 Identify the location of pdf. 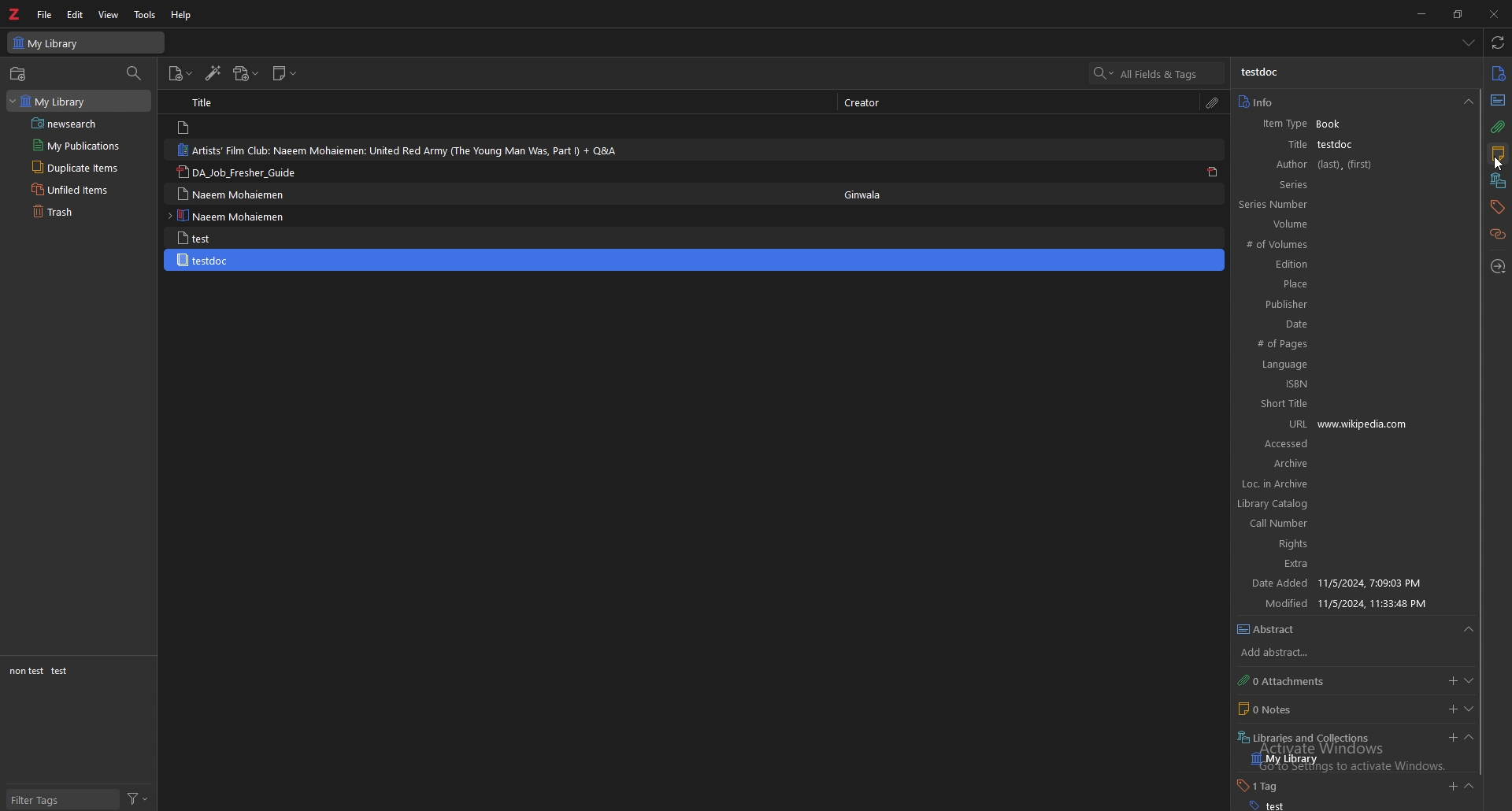
(1212, 172).